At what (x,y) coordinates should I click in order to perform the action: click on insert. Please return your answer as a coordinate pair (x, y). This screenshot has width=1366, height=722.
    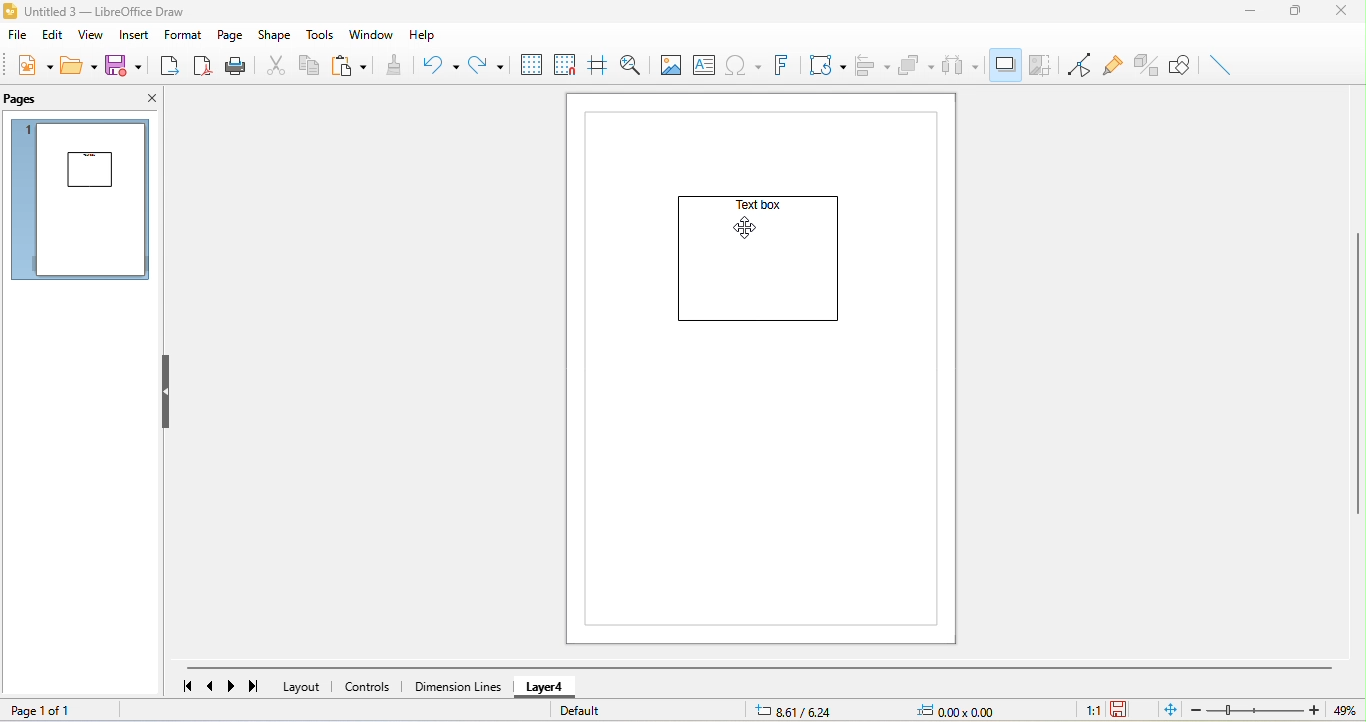
    Looking at the image, I should click on (132, 36).